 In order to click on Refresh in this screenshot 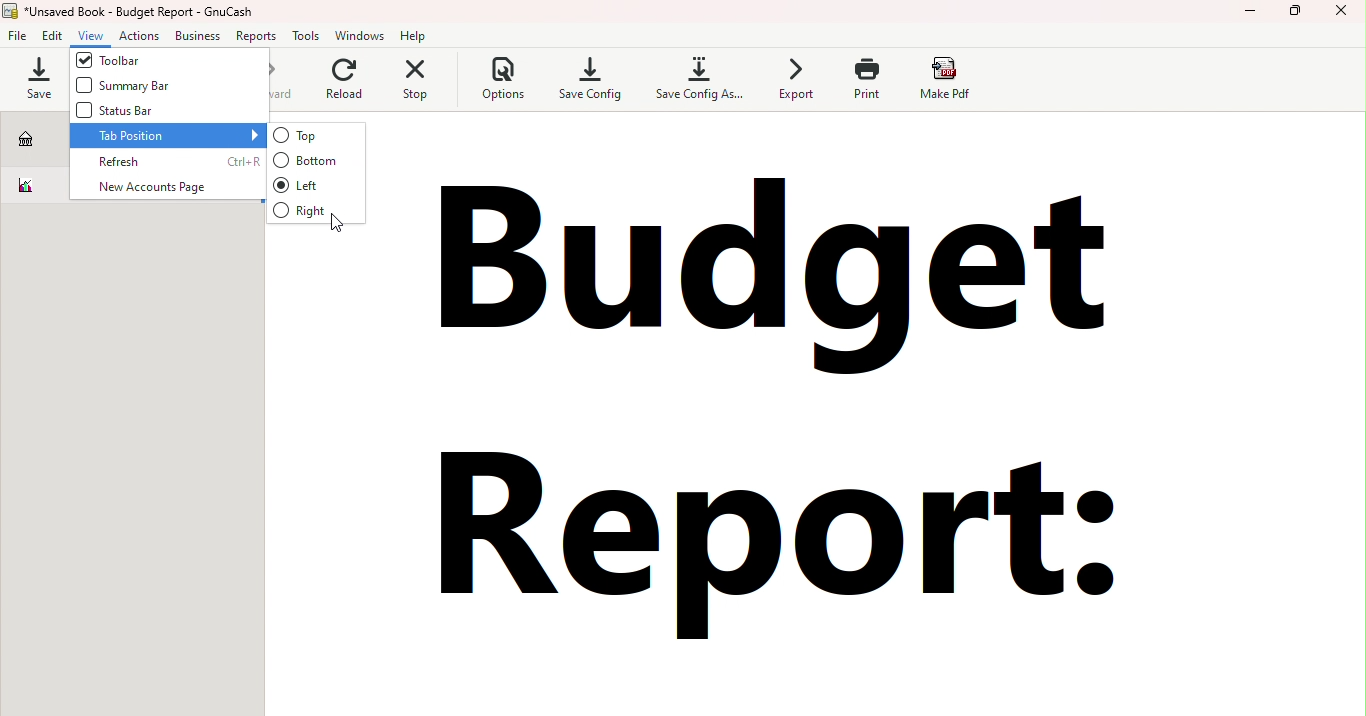, I will do `click(168, 163)`.